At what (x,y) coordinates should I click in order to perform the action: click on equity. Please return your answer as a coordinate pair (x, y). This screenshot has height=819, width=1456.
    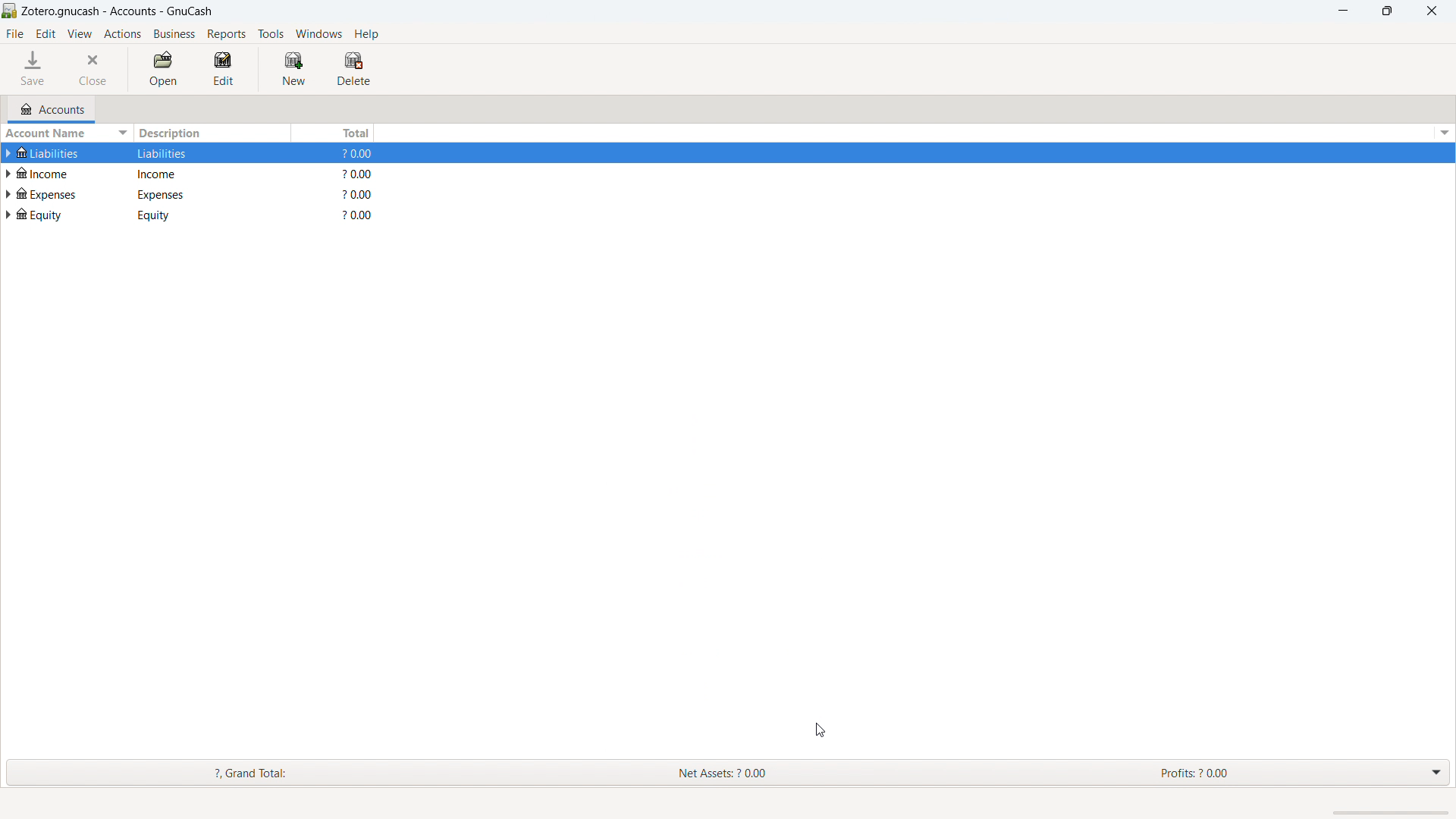
    Looking at the image, I should click on (171, 215).